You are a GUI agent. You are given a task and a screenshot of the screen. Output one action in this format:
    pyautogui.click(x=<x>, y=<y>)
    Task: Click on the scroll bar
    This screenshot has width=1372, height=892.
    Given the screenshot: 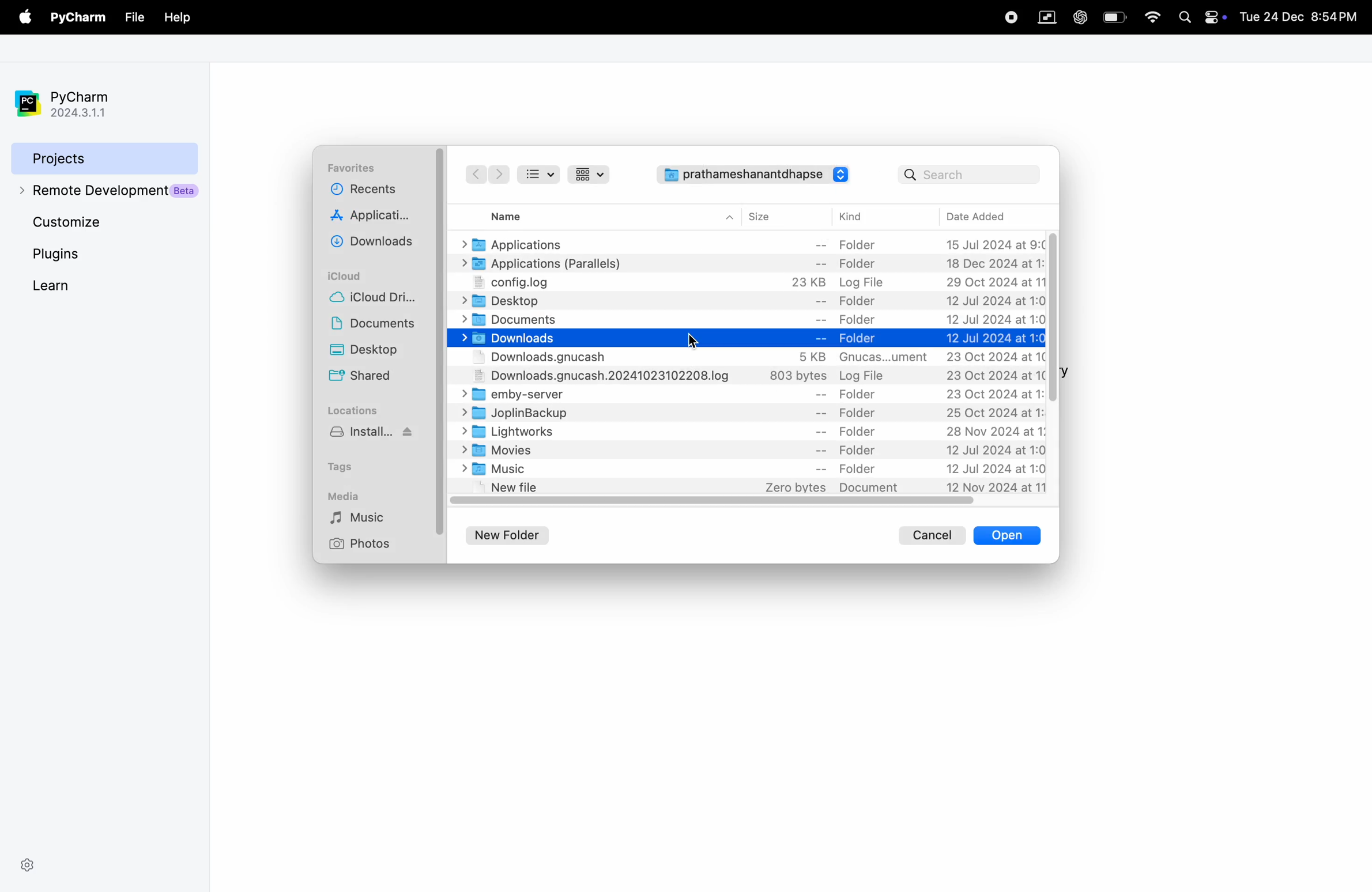 What is the action you would take?
    pyautogui.click(x=442, y=339)
    